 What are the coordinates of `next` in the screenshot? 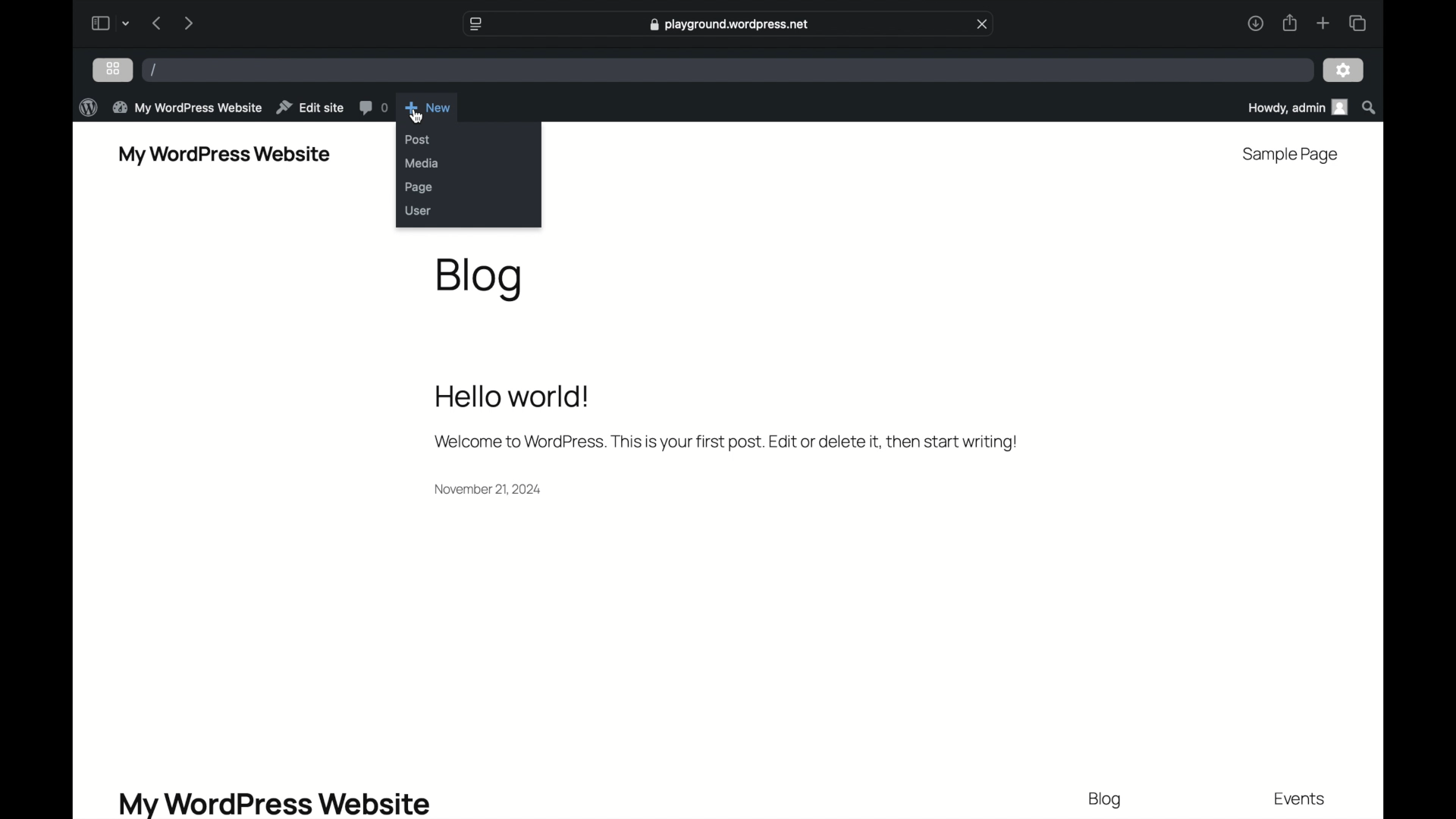 It's located at (188, 23).